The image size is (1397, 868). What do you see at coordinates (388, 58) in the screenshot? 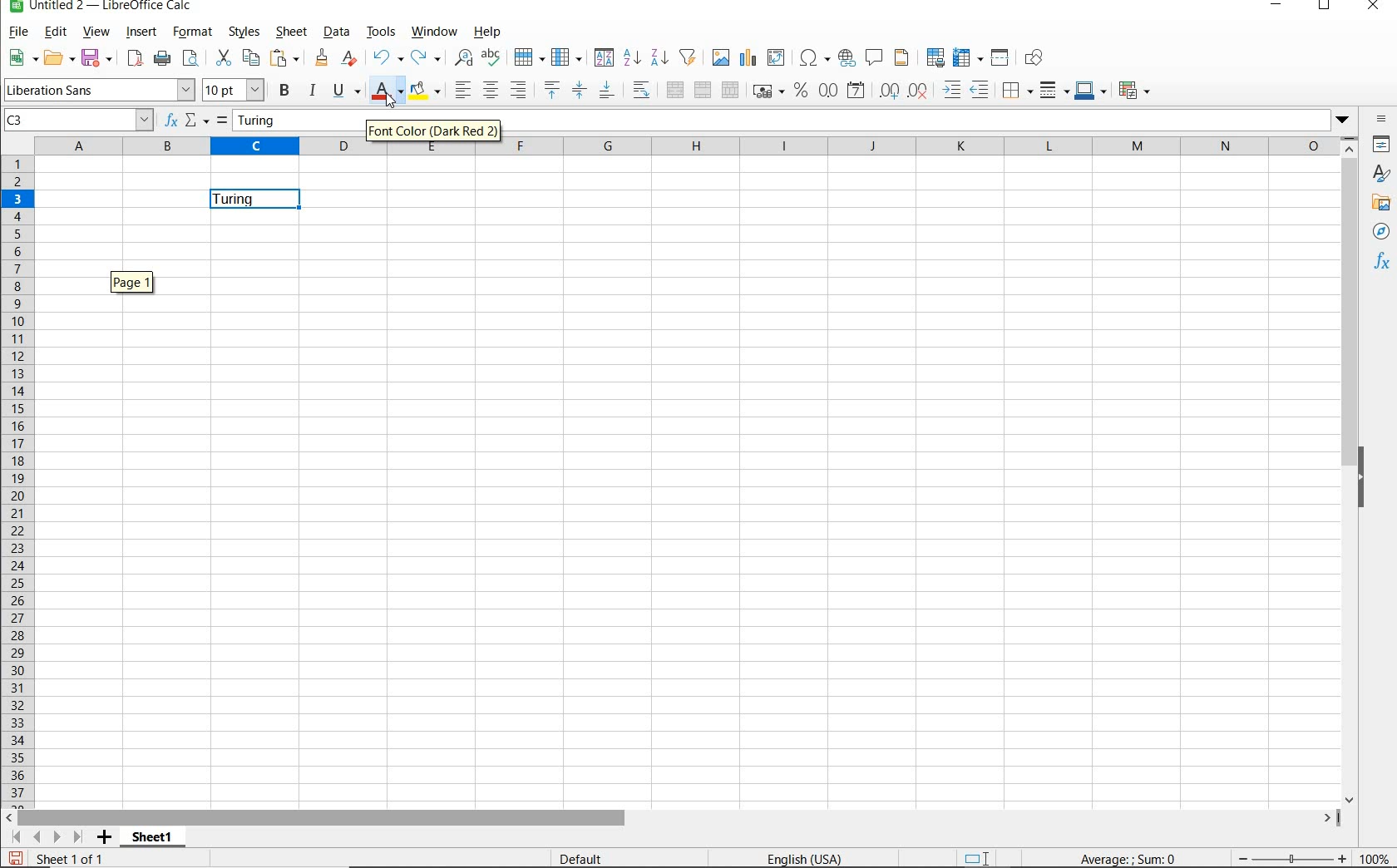
I see `UNDO` at bounding box center [388, 58].